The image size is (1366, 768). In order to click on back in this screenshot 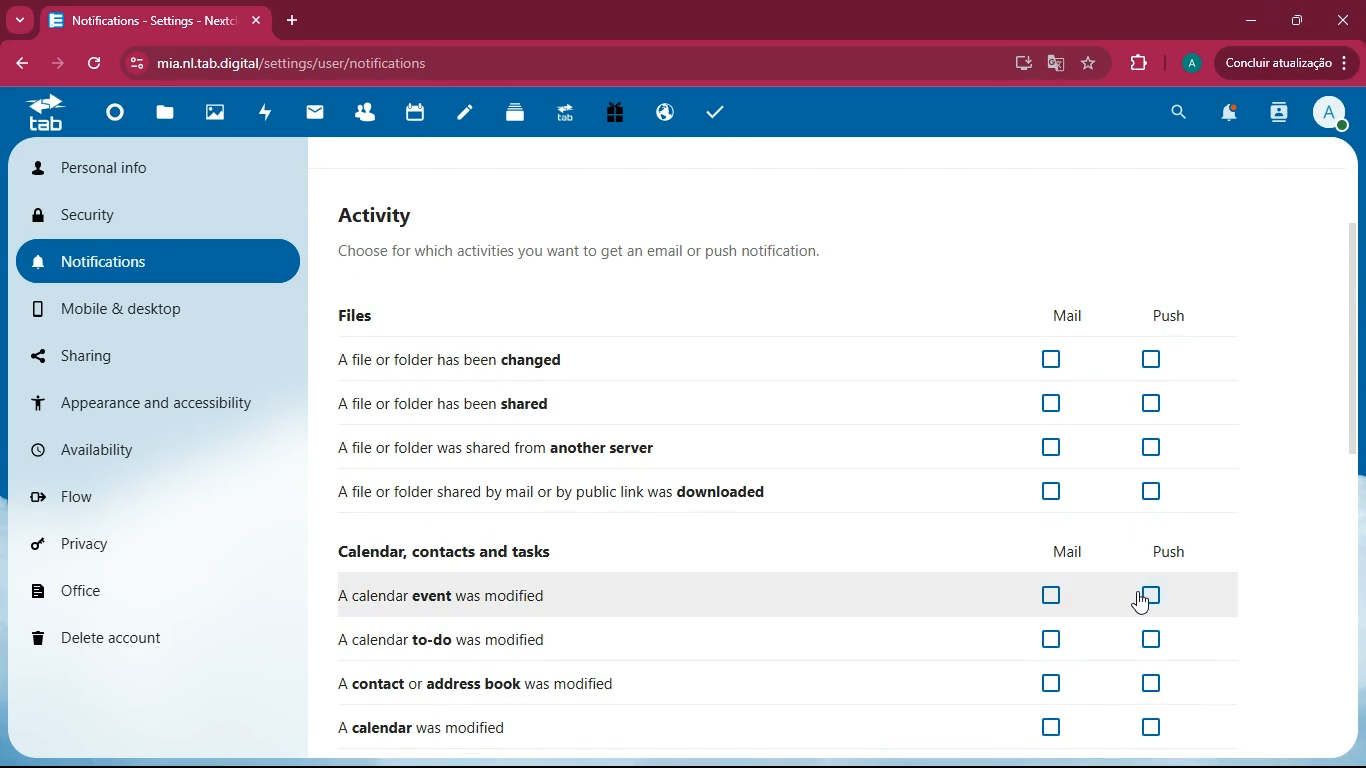, I will do `click(19, 64)`.